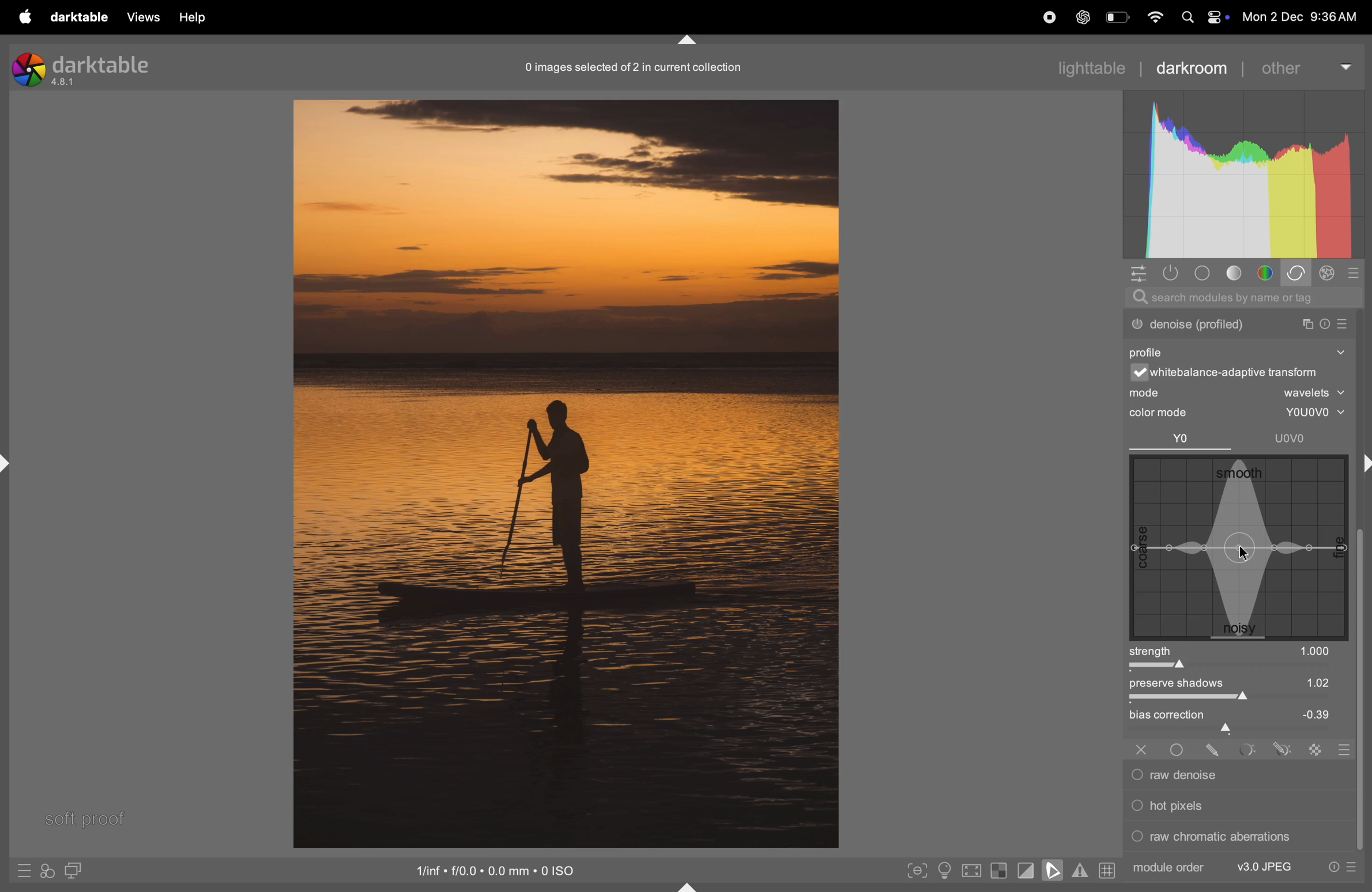 Image resolution: width=1372 pixels, height=892 pixels. What do you see at coordinates (1227, 667) in the screenshot?
I see `toggle bar` at bounding box center [1227, 667].